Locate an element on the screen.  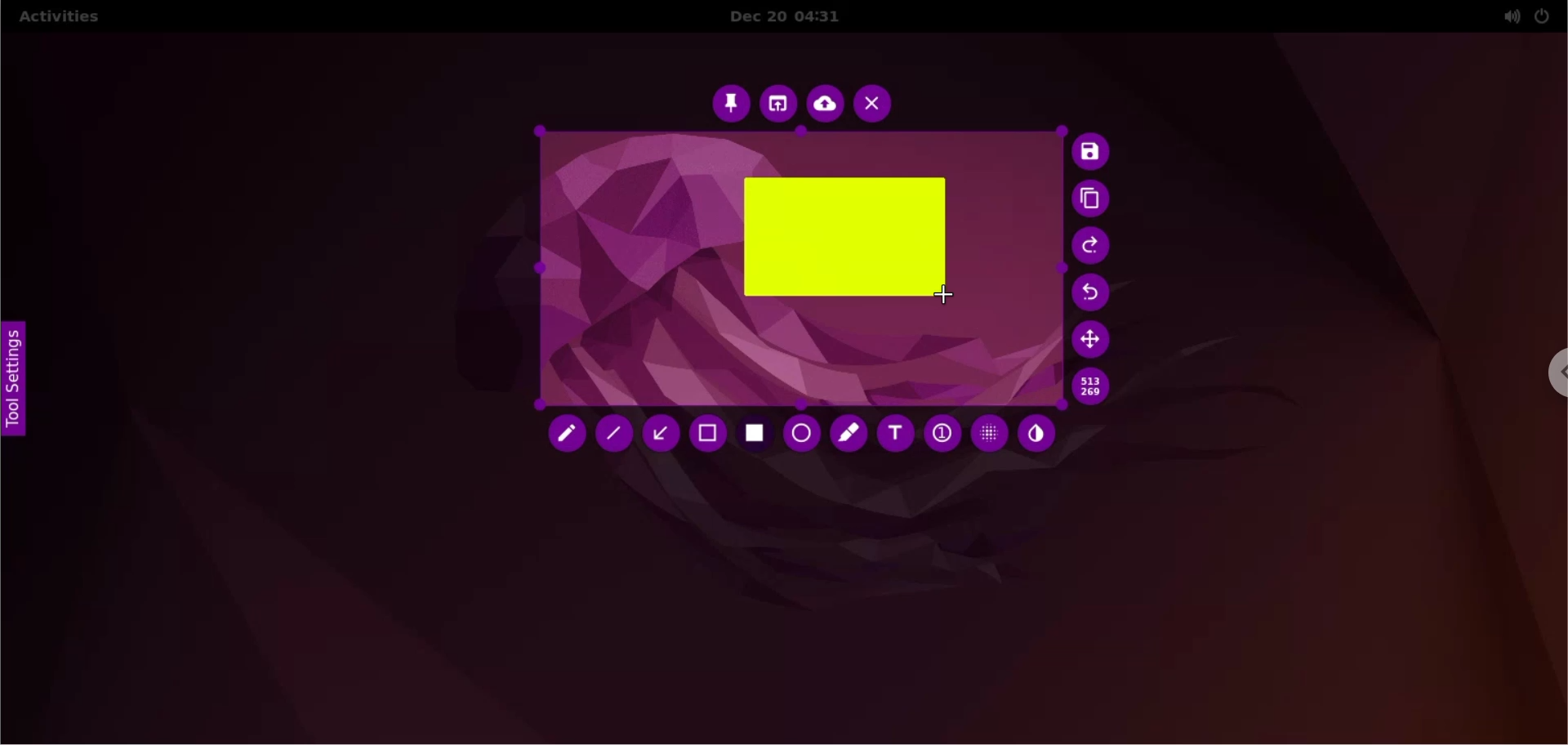
cancel capture is located at coordinates (875, 103).